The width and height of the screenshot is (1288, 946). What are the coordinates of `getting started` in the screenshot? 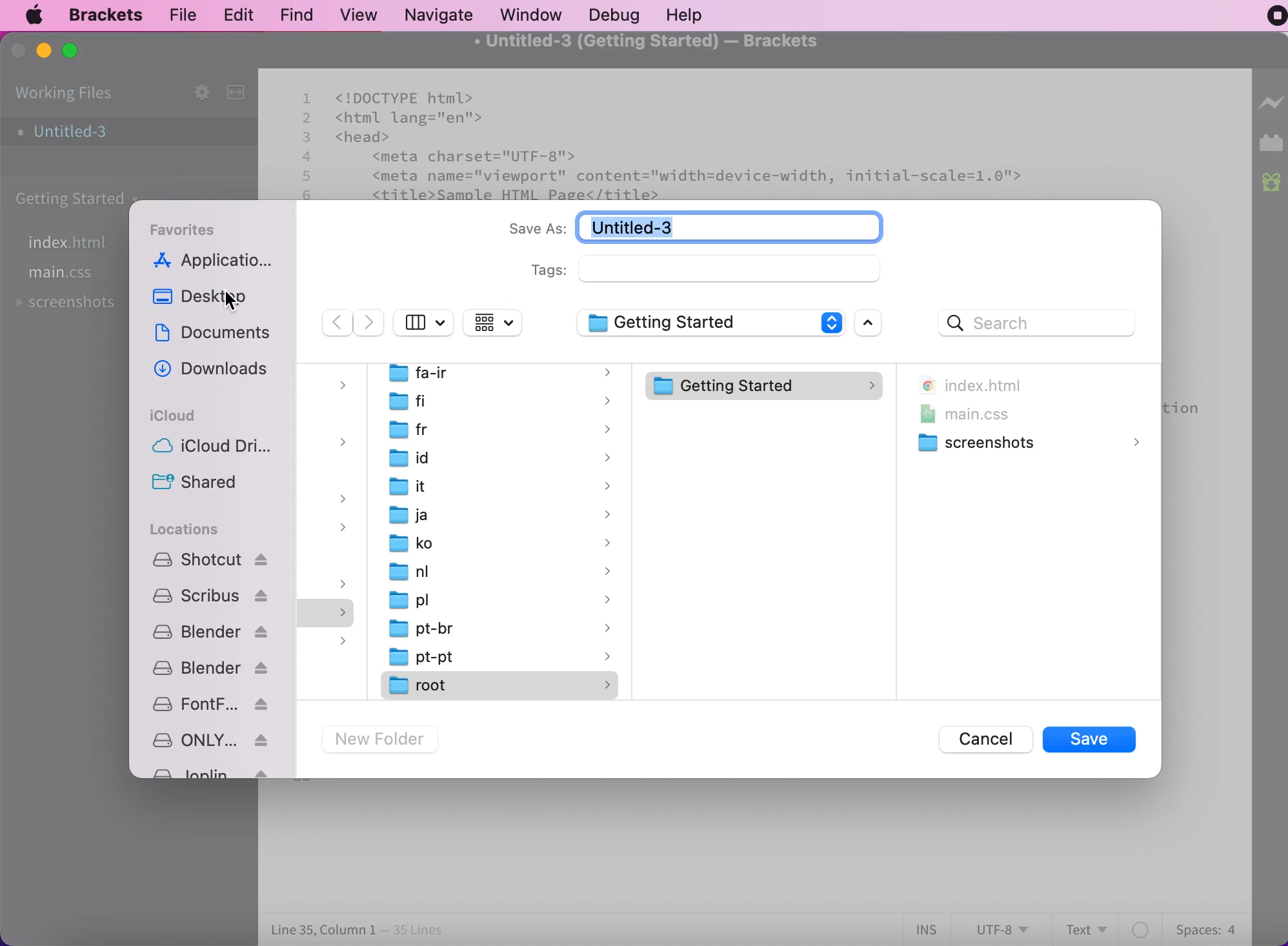 It's located at (767, 385).